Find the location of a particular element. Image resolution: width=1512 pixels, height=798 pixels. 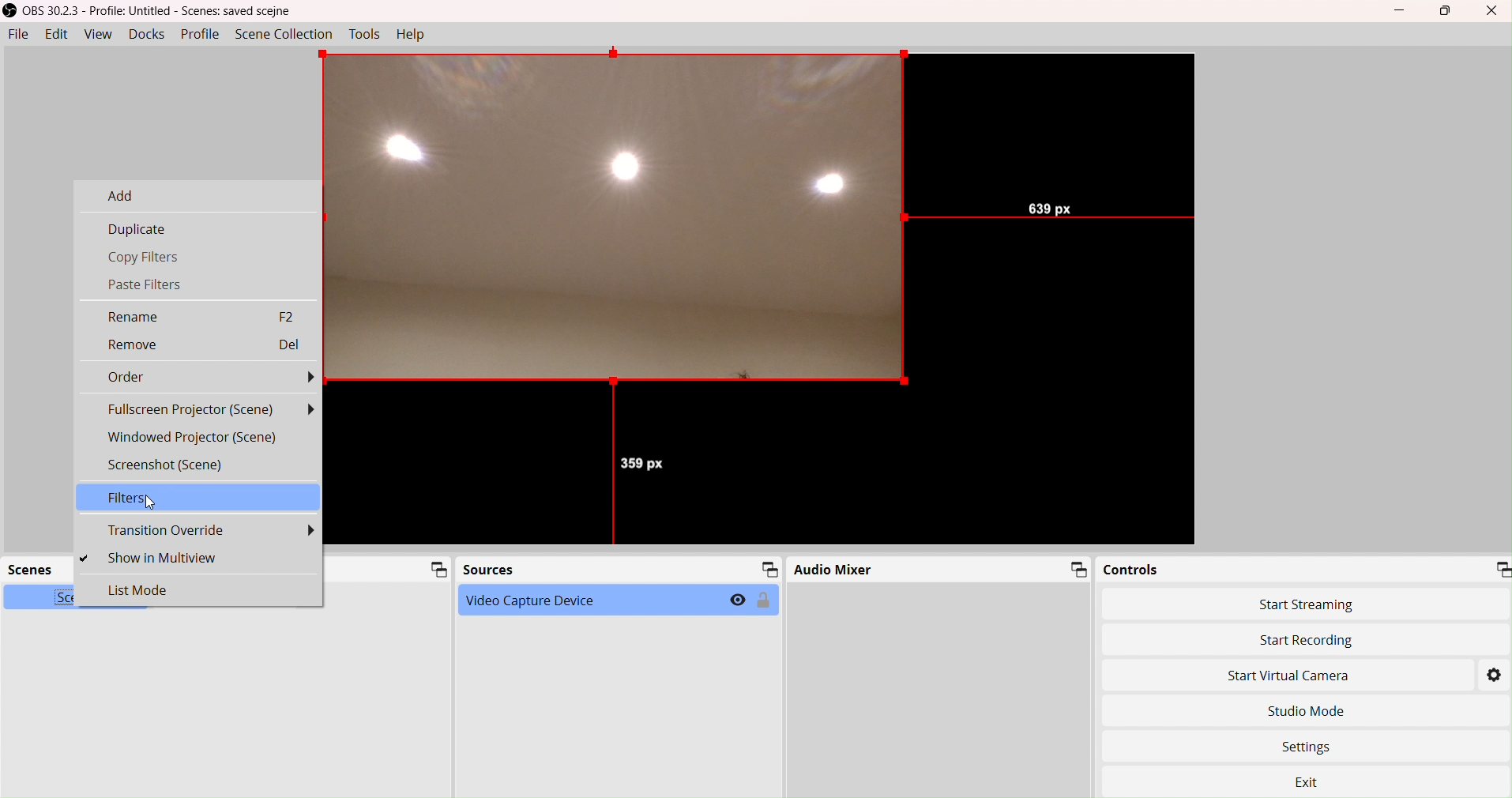

Minimize is located at coordinates (1400, 10).